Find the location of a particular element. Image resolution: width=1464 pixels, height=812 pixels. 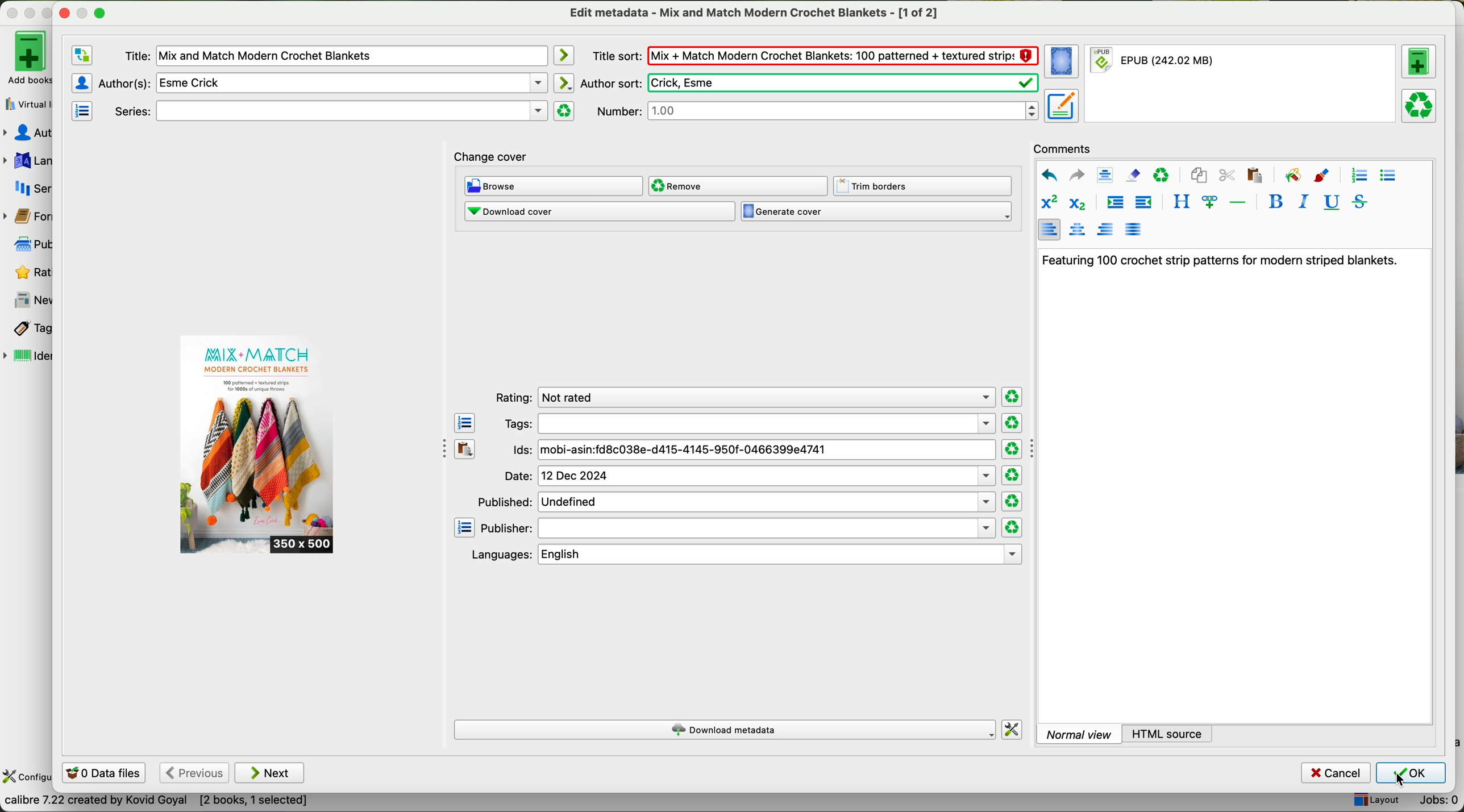

clear rating is located at coordinates (1013, 397).